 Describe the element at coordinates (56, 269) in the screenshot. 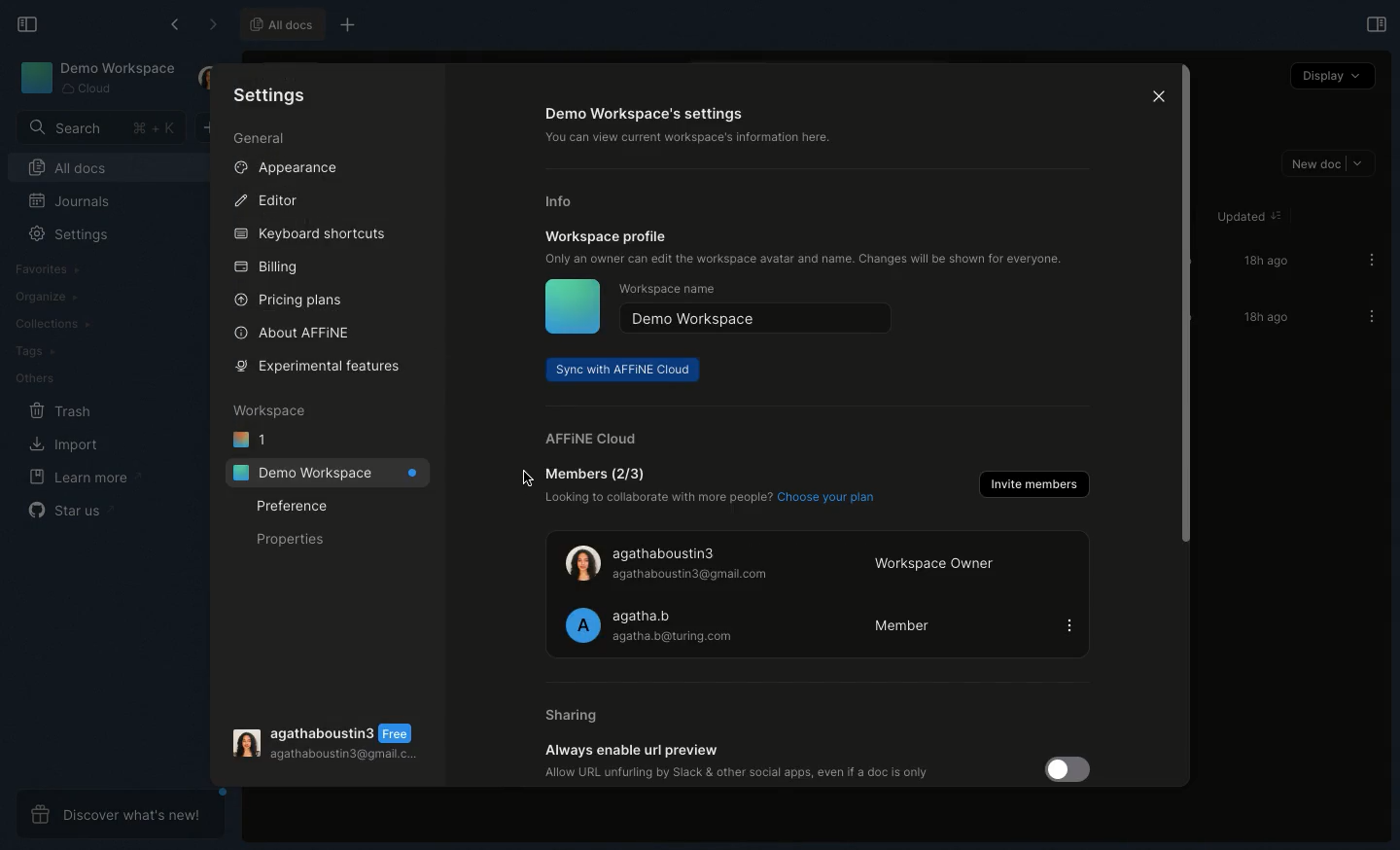

I see `Favorites` at that location.